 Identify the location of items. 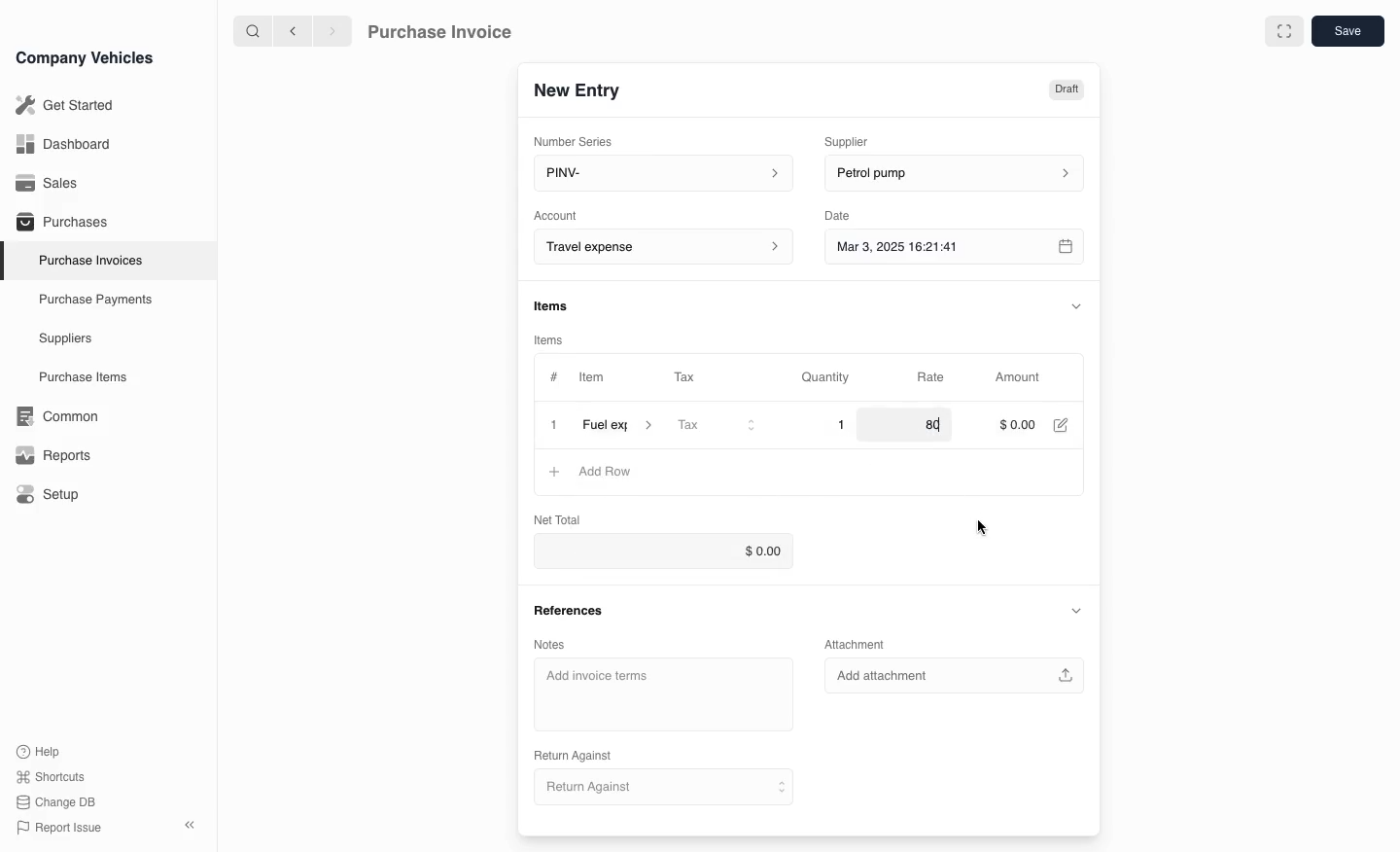
(553, 307).